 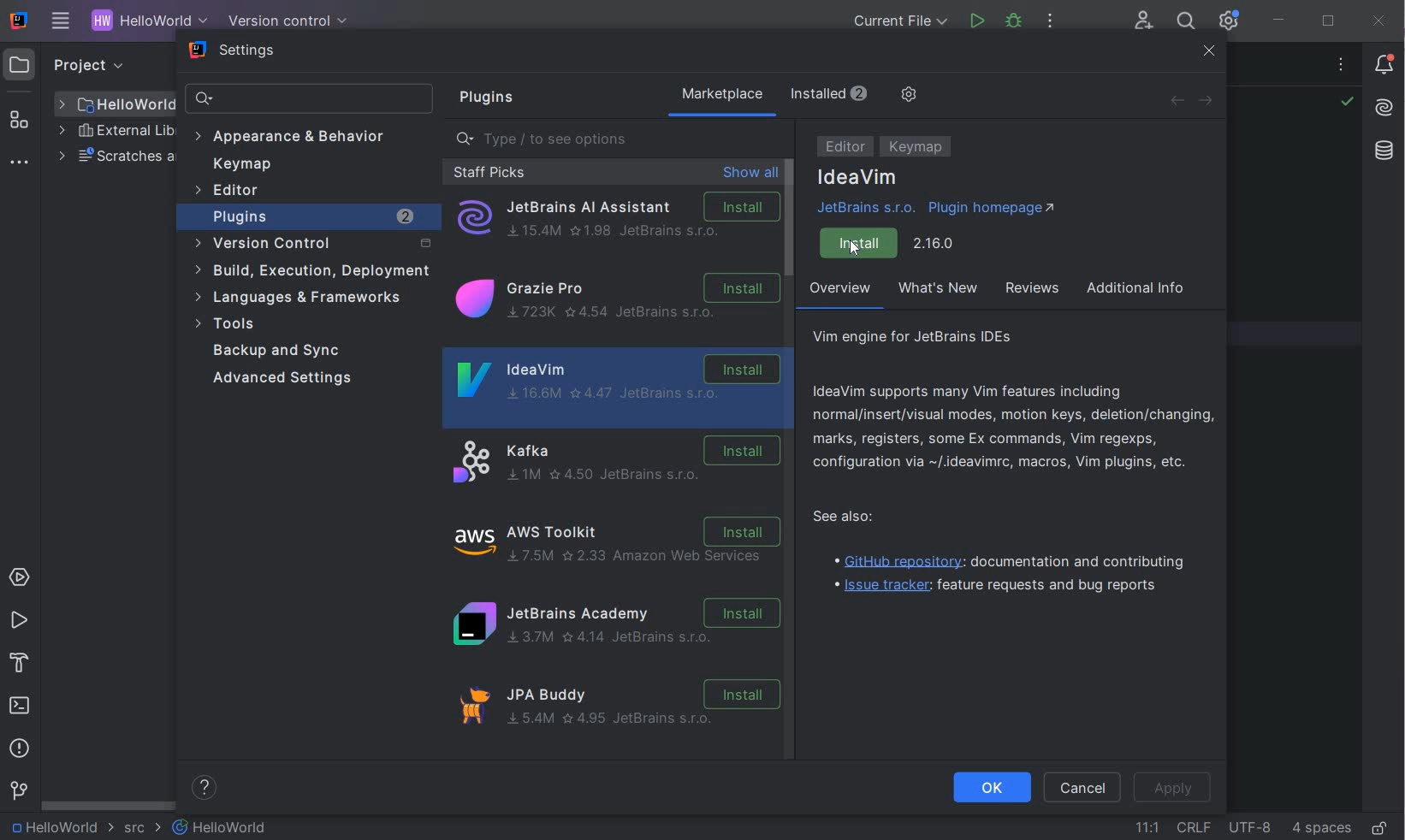 I want to click on VERSION CONTROL, so click(x=18, y=790).